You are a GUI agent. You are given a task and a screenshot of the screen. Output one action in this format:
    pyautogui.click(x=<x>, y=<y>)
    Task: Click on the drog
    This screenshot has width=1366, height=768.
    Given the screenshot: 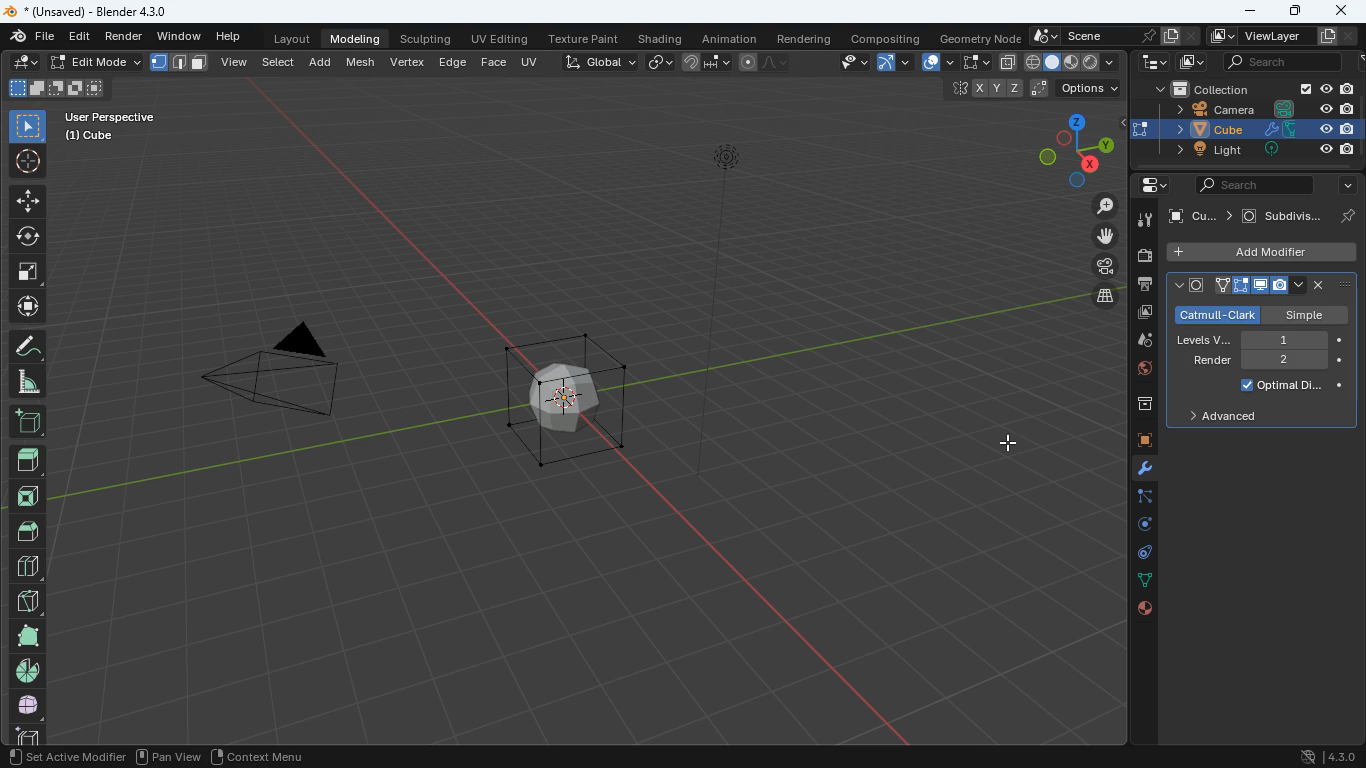 What is the action you would take?
    pyautogui.click(x=1137, y=340)
    